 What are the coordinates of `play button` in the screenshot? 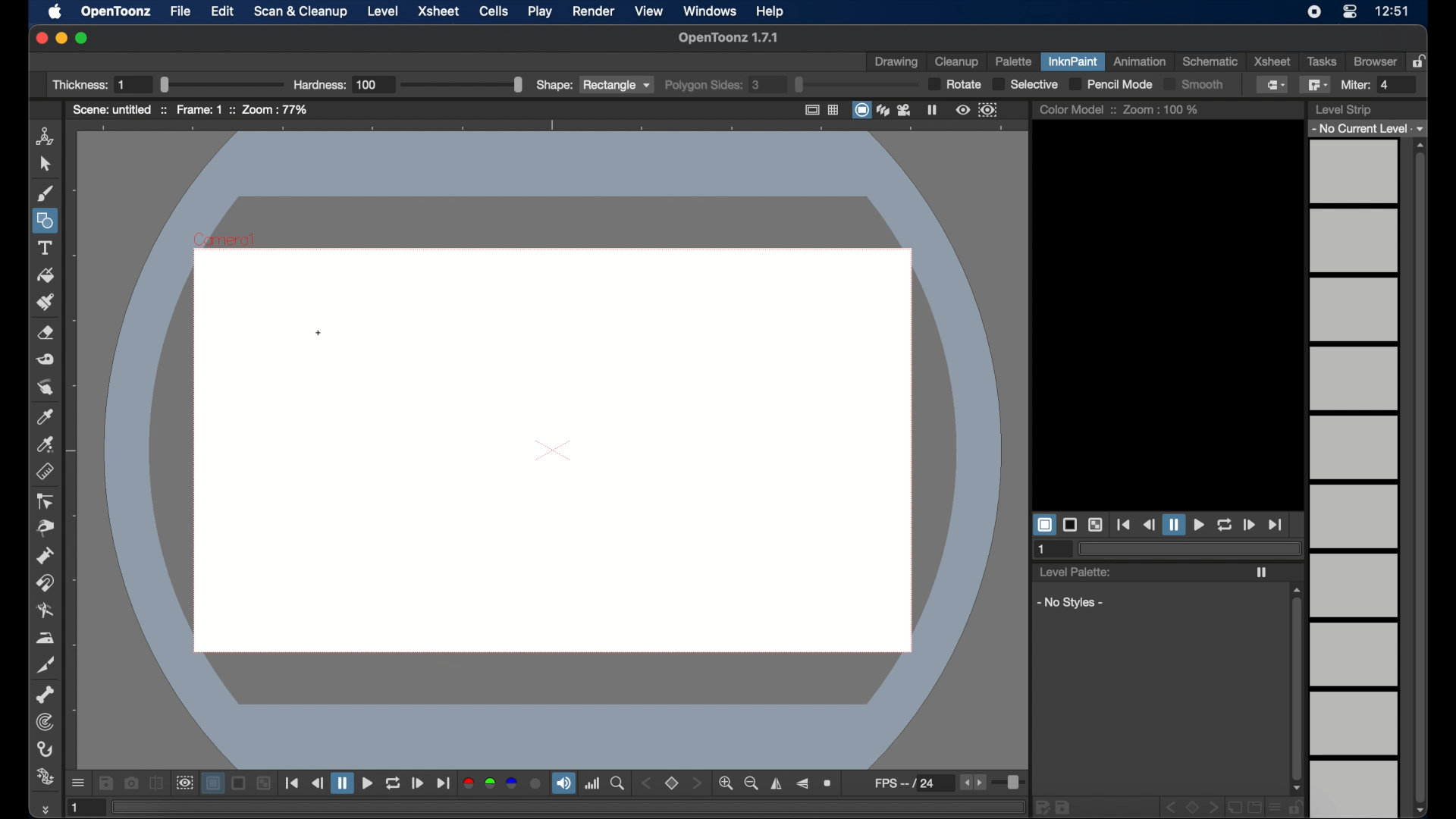 It's located at (368, 784).